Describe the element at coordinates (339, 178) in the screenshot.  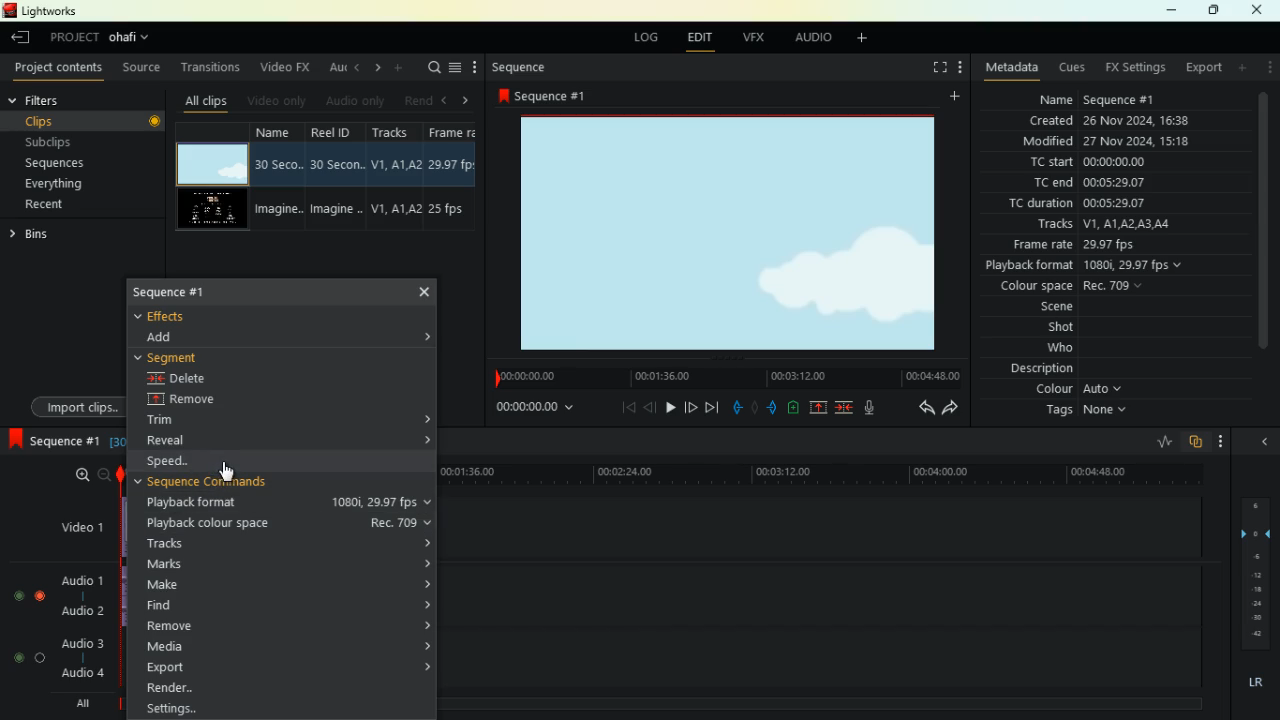
I see `reel id` at that location.